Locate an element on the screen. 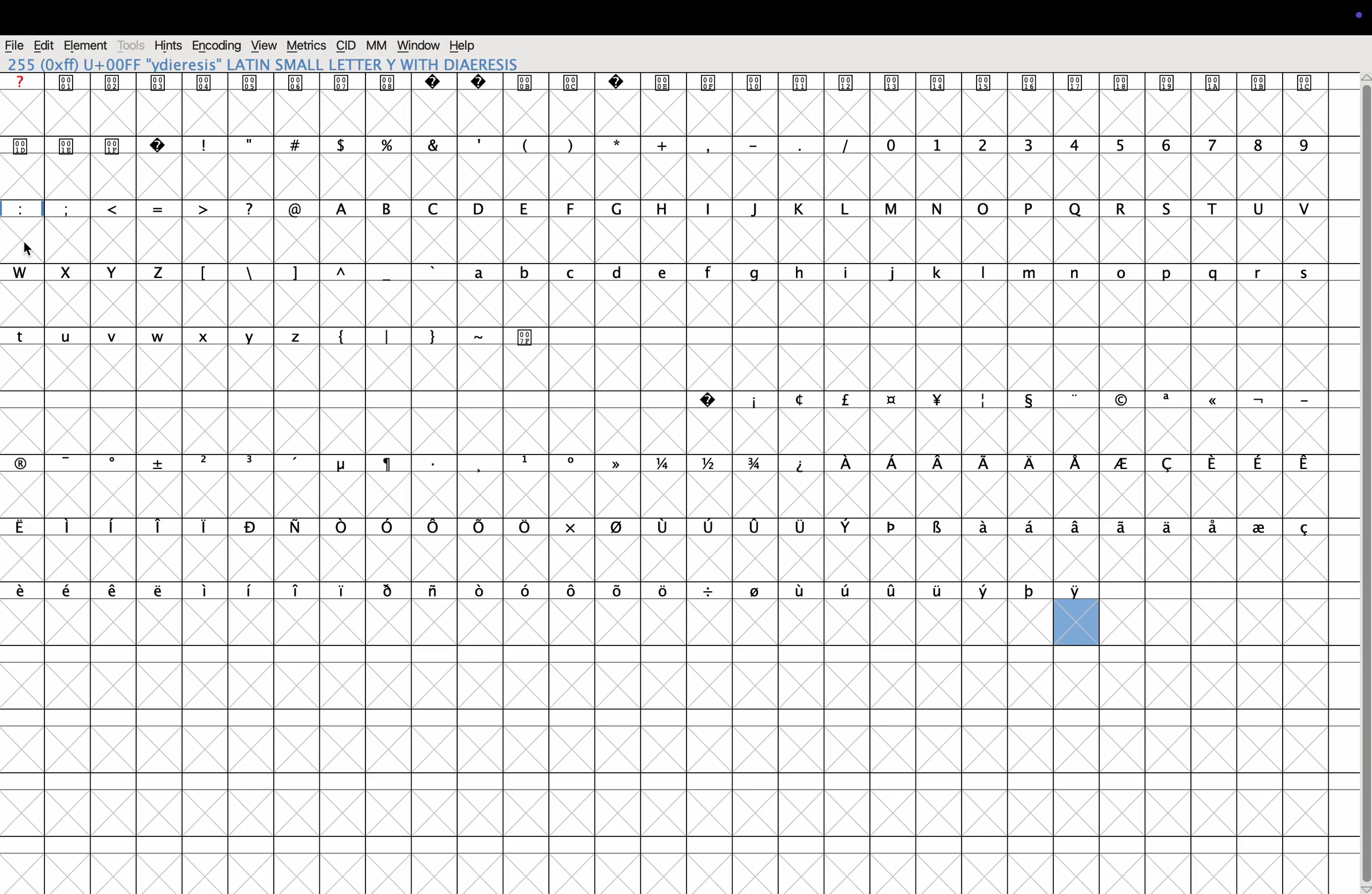 The height and width of the screenshot is (894, 1372). T is located at coordinates (1215, 228).